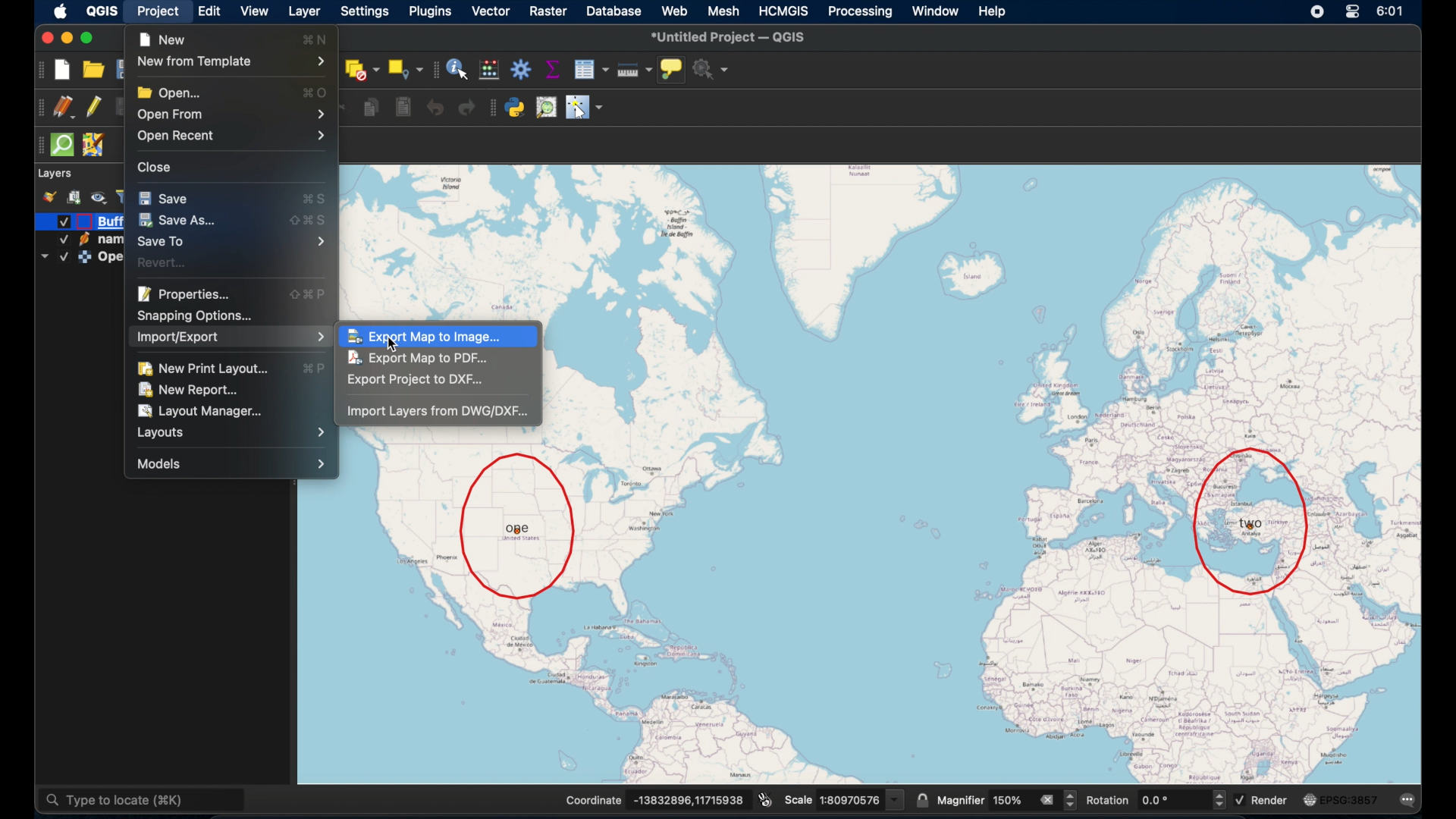 Image resolution: width=1456 pixels, height=819 pixels. Describe the element at coordinates (55, 173) in the screenshot. I see `layers` at that location.